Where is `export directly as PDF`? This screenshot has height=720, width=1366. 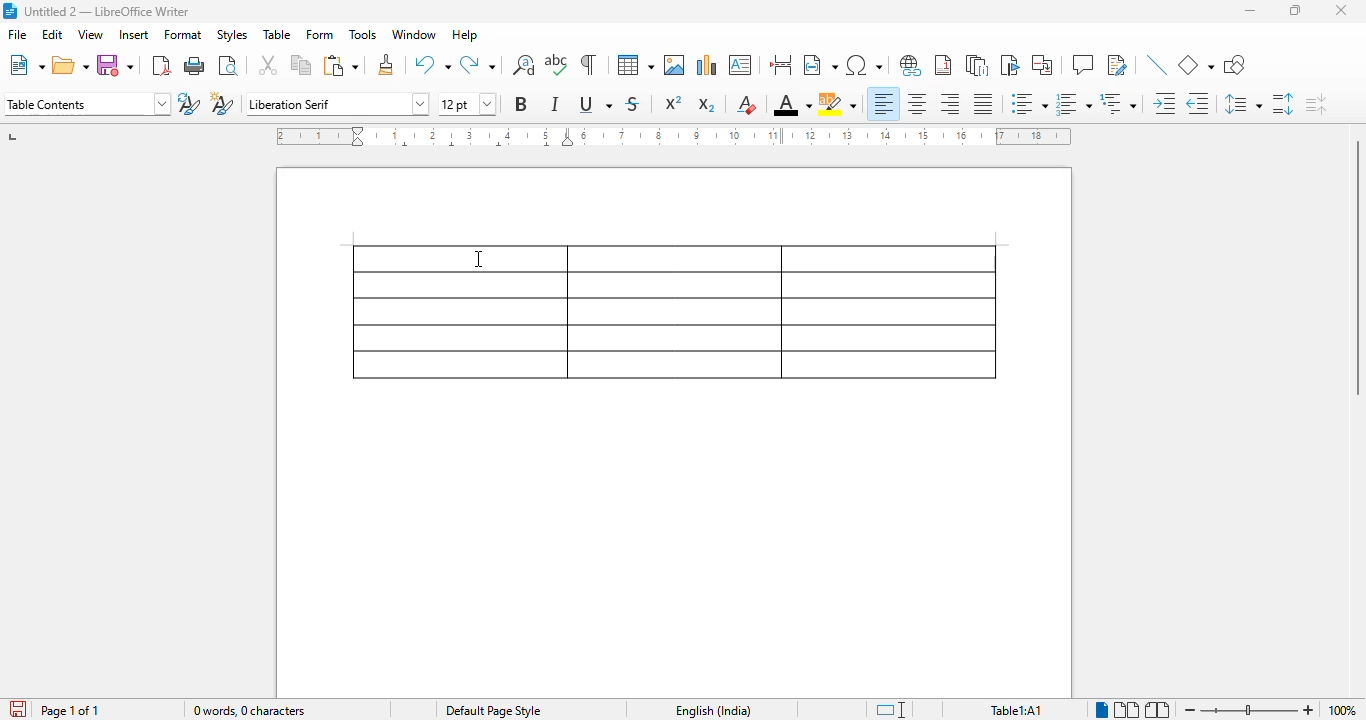 export directly as PDF is located at coordinates (161, 66).